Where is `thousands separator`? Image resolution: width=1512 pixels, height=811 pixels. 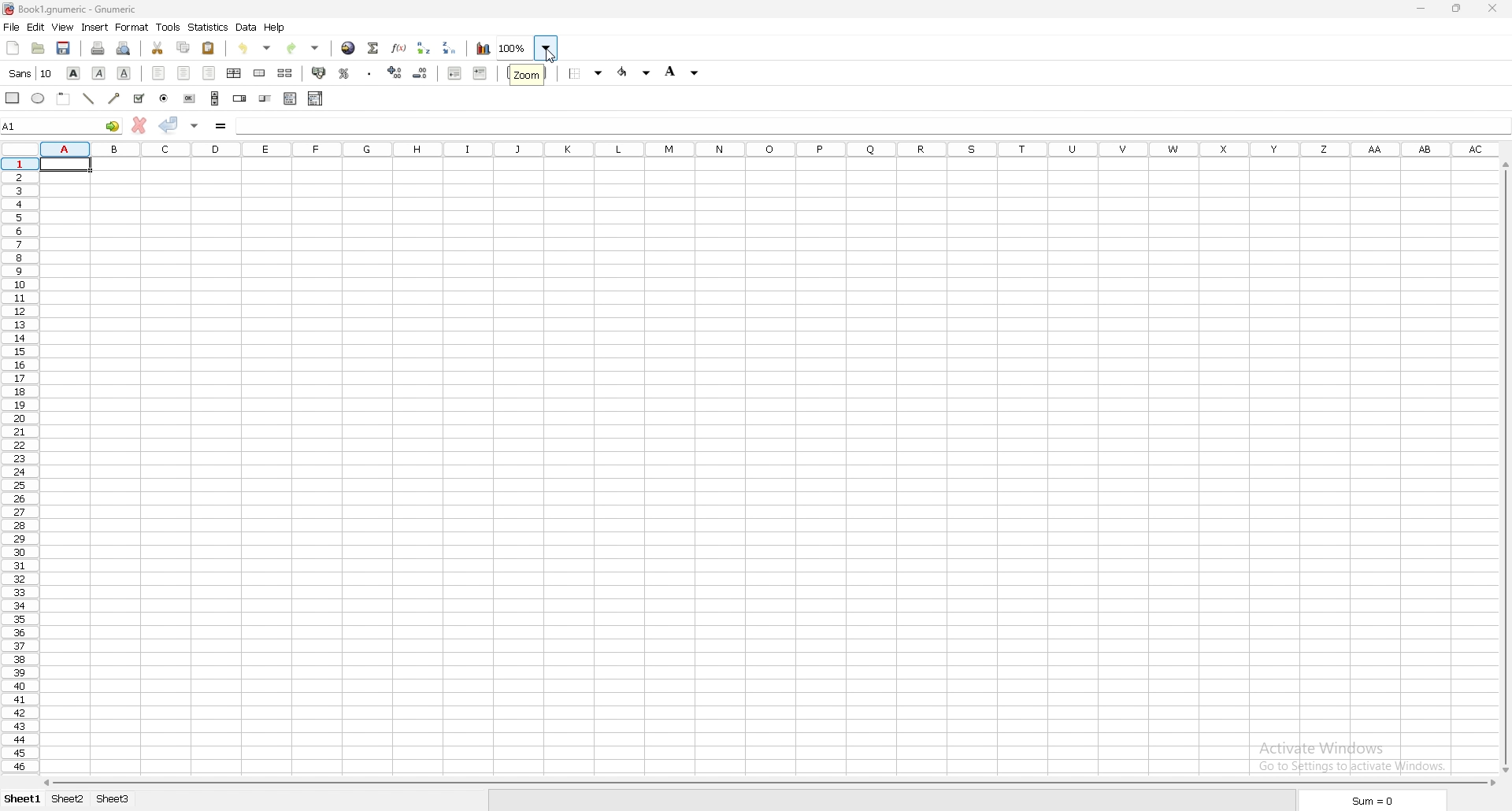
thousands separator is located at coordinates (369, 72).